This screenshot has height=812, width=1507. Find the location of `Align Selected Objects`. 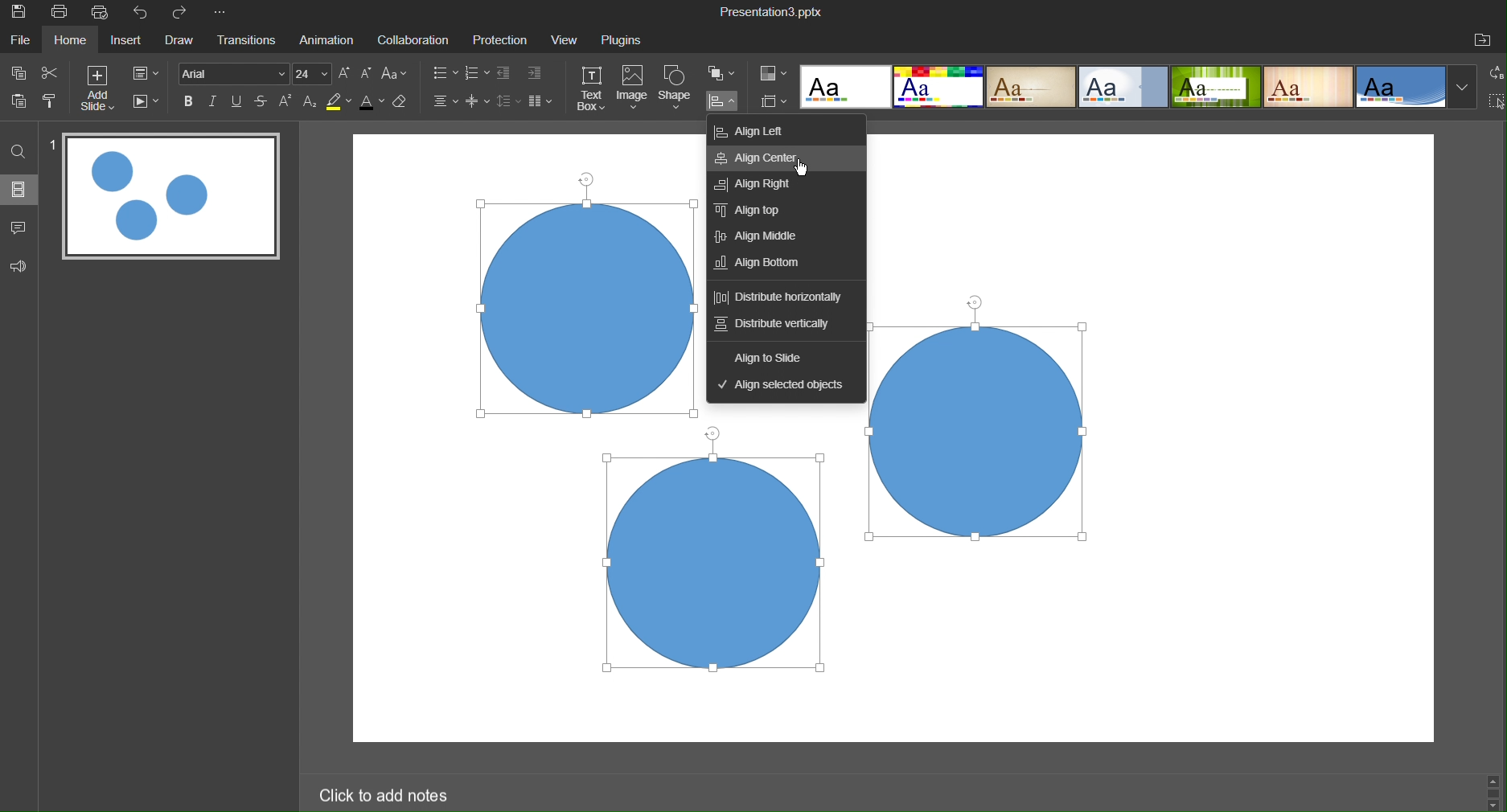

Align Selected Objects is located at coordinates (786, 383).